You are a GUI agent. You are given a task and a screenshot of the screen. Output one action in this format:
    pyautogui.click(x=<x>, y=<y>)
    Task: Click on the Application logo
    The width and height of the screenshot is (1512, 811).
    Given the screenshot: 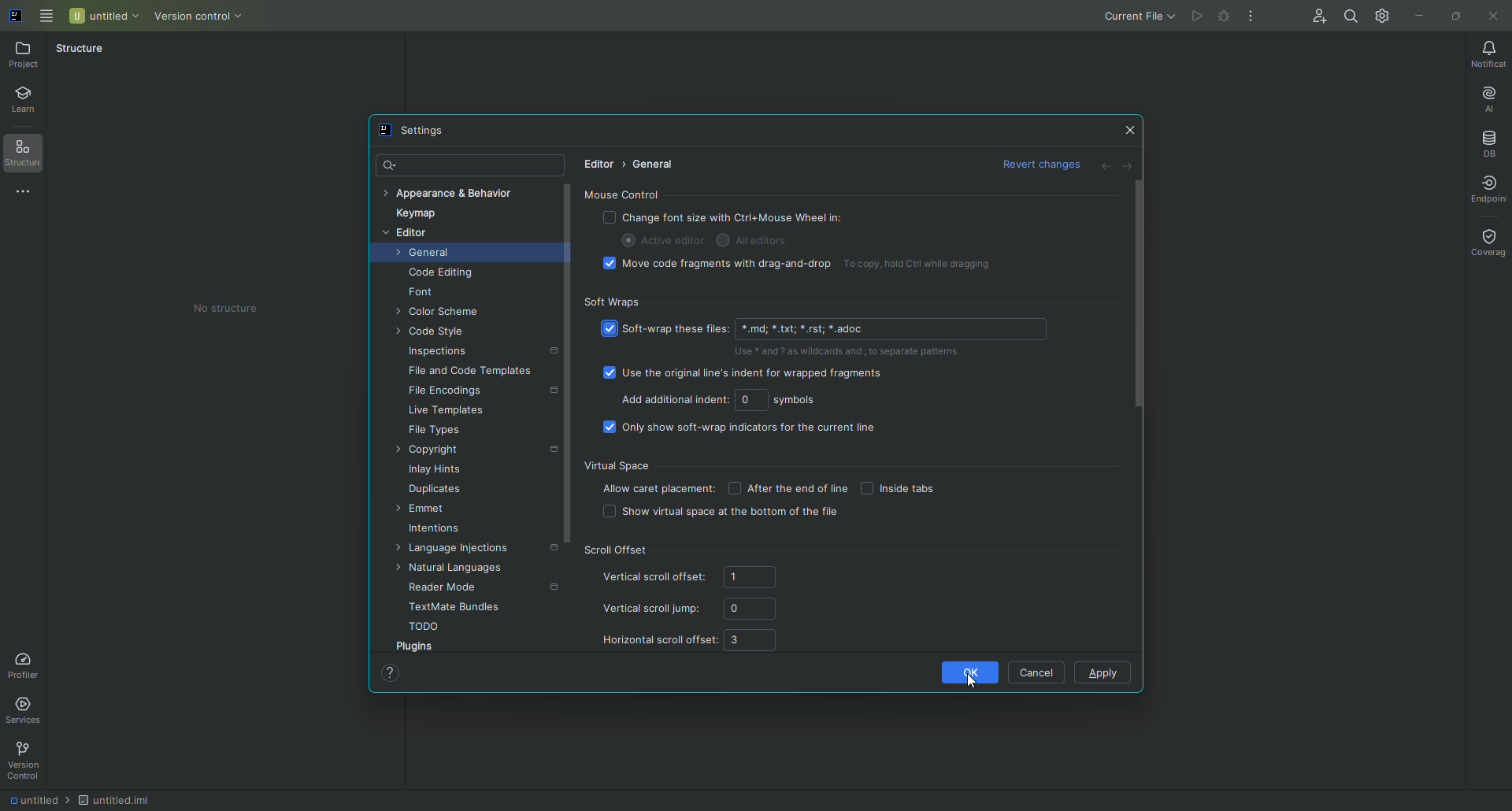 What is the action you would take?
    pyautogui.click(x=19, y=19)
    